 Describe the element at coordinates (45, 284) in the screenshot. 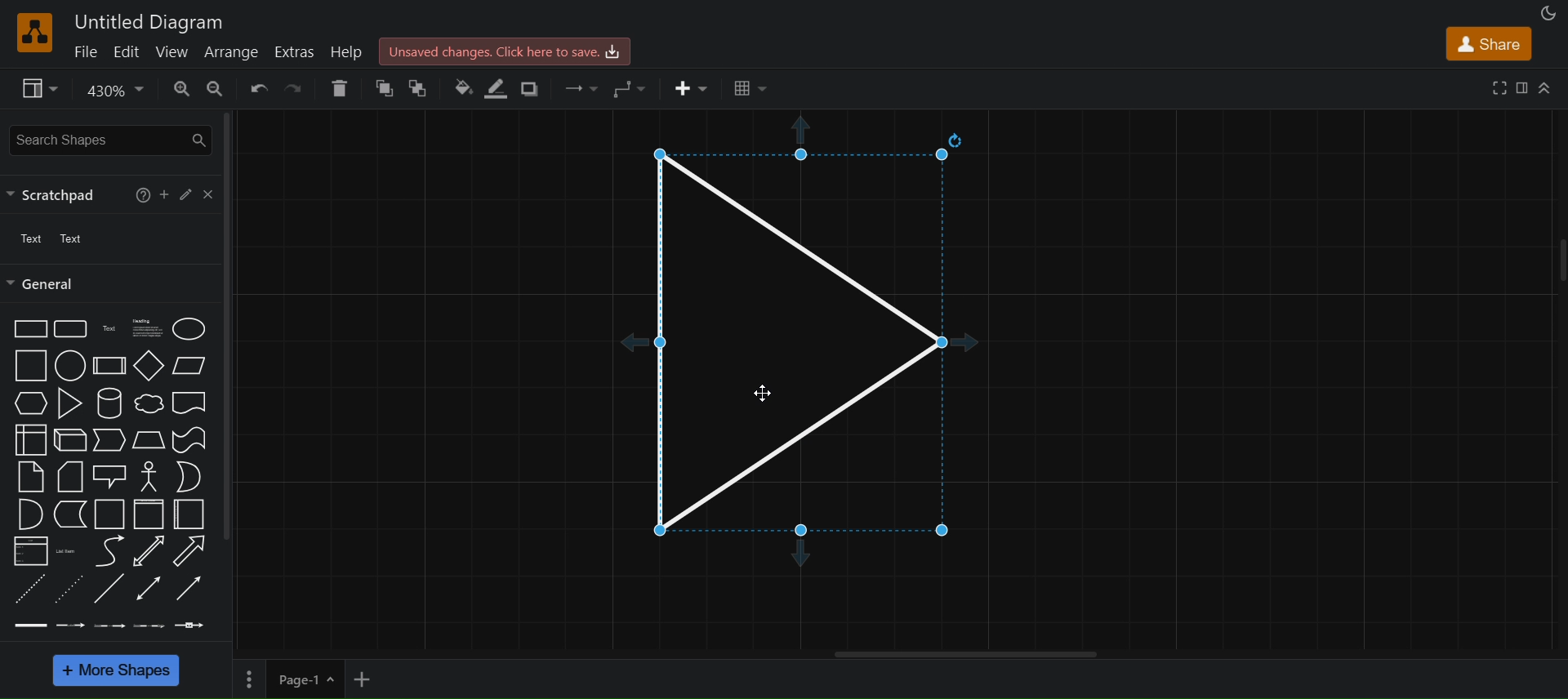

I see `general` at that location.